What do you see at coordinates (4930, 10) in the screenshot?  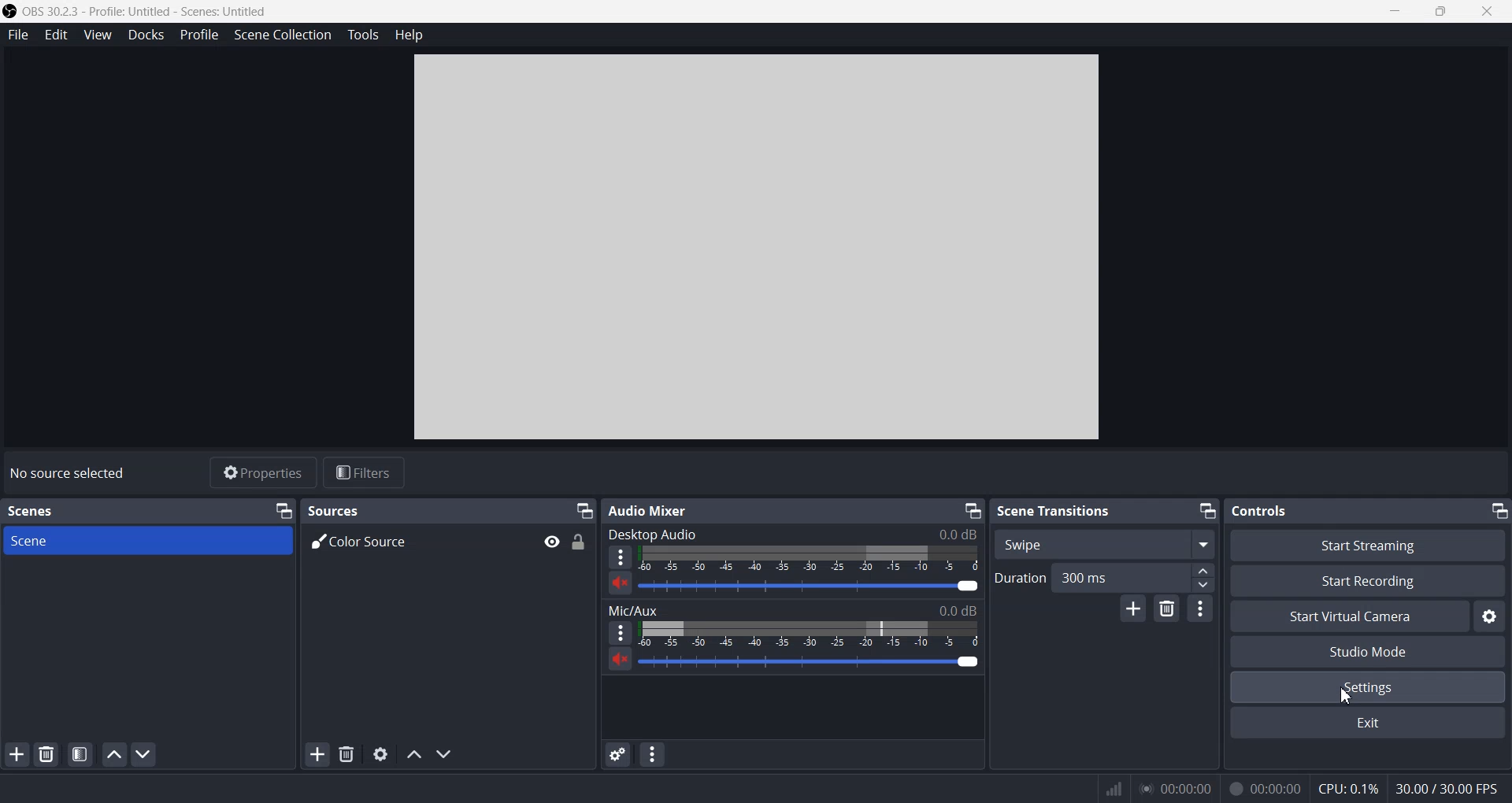 I see `Maximize` at bounding box center [4930, 10].